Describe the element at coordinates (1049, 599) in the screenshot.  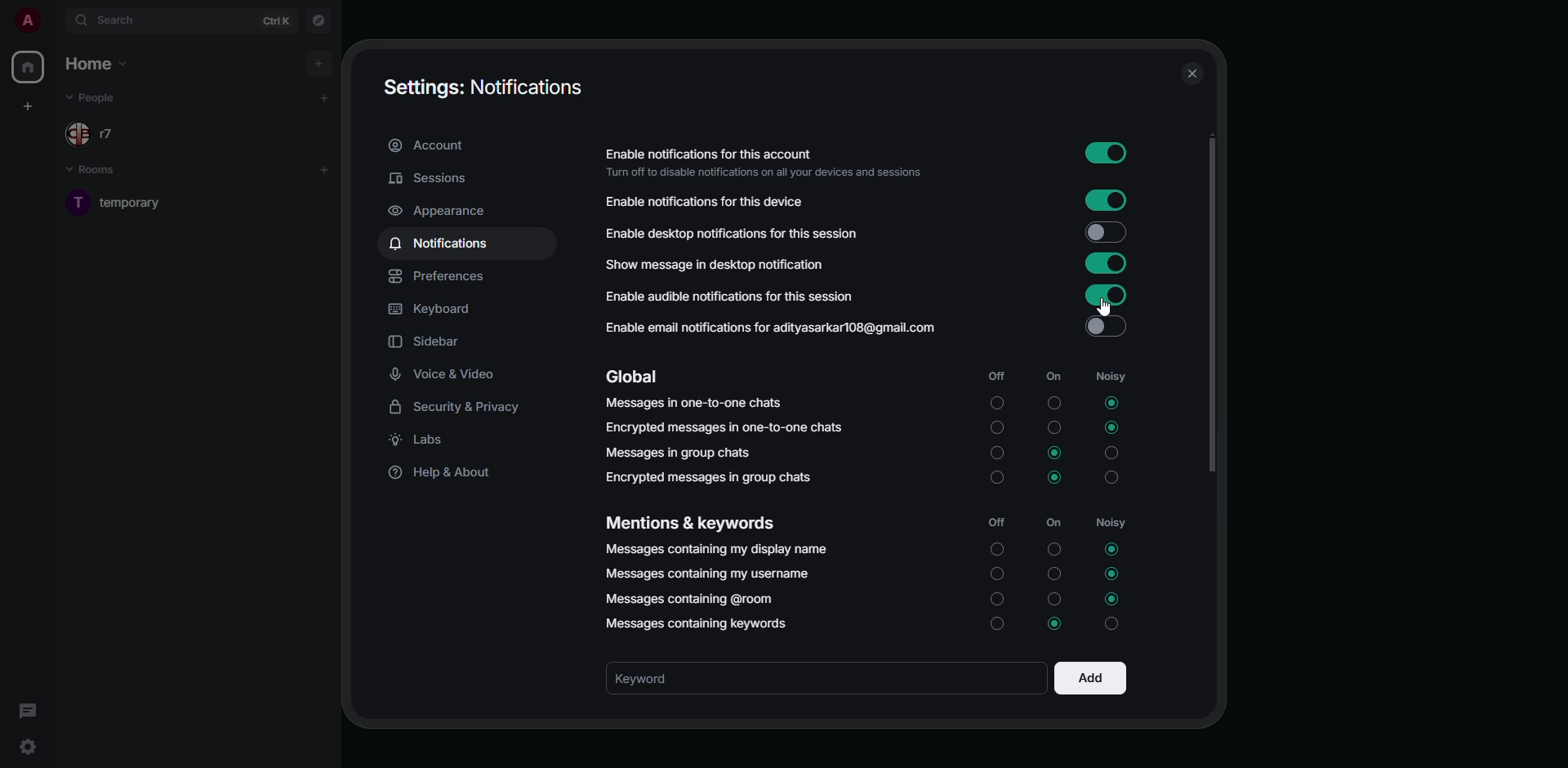
I see `on` at that location.